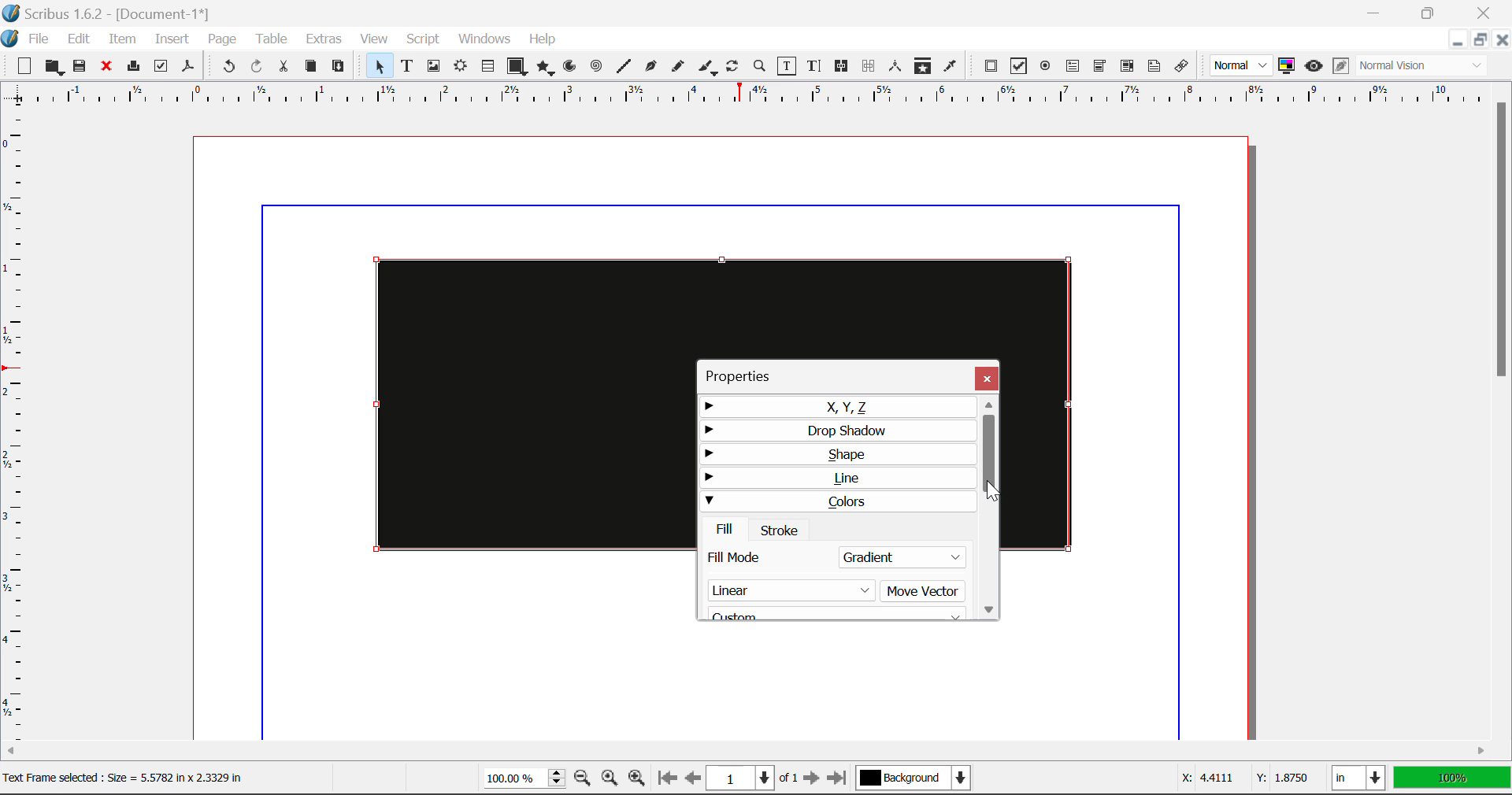  I want to click on Colors, so click(836, 501).